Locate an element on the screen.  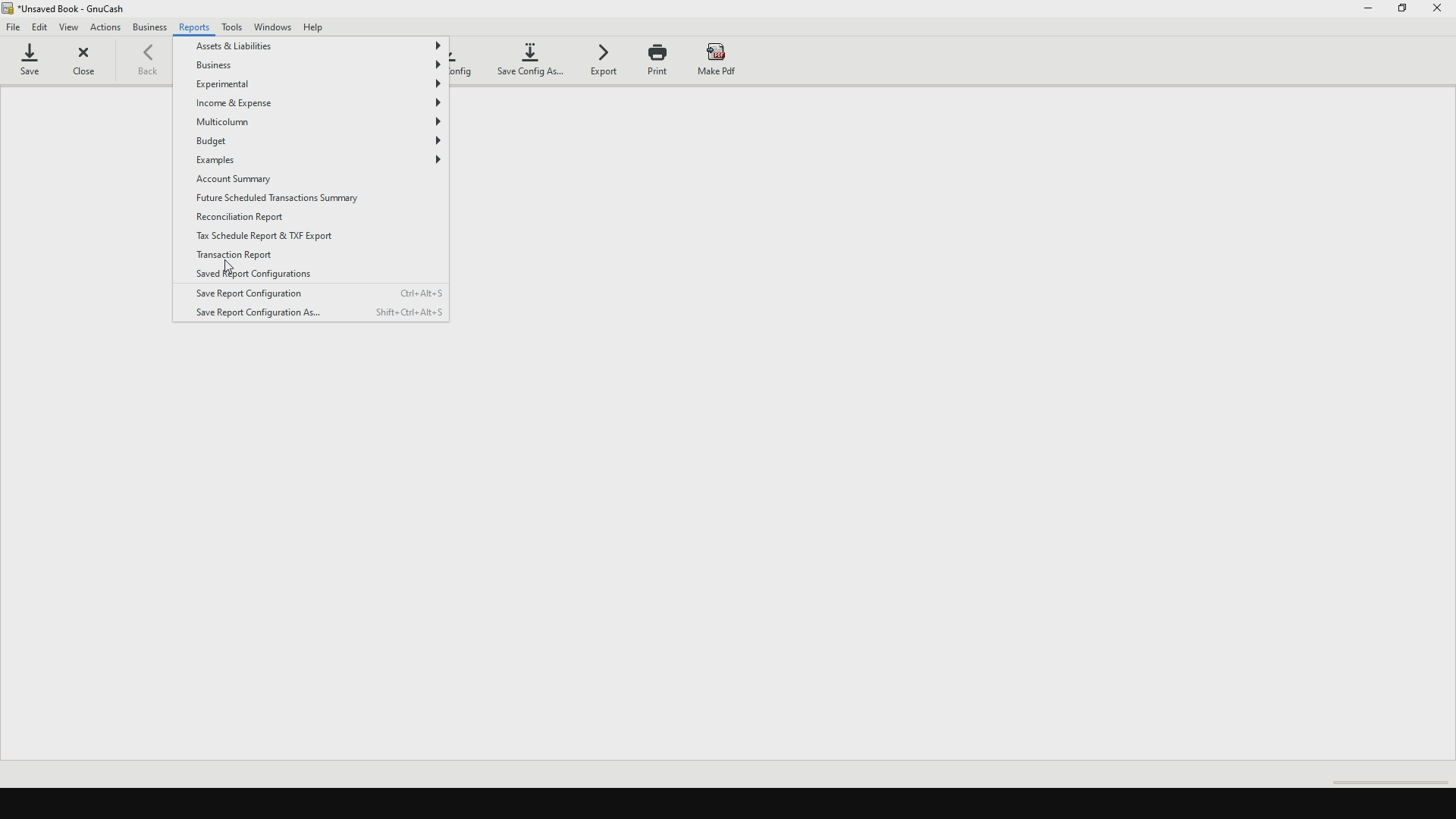
maximize is located at coordinates (1404, 14).